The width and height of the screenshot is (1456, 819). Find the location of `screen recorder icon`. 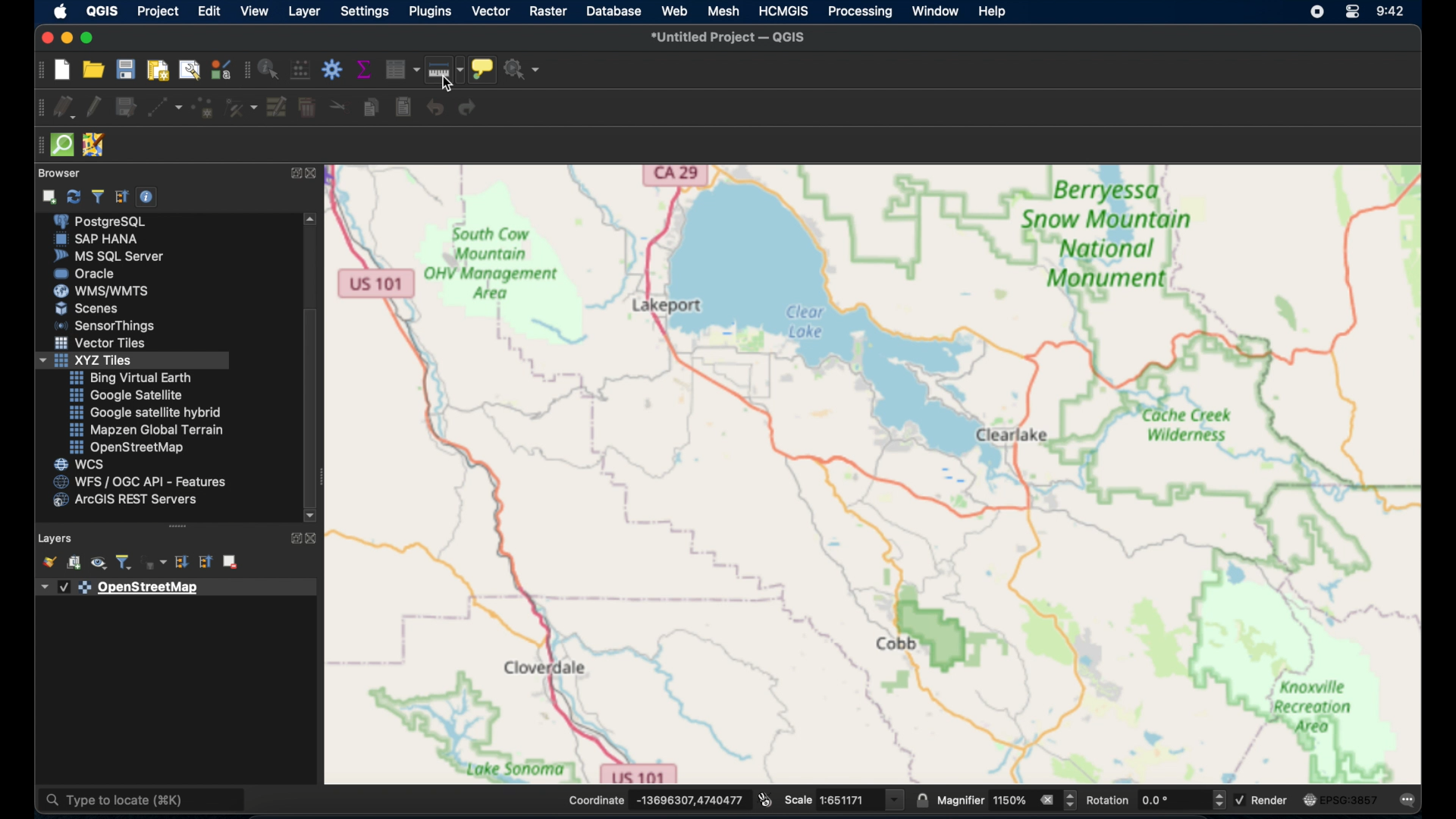

screen recorder icon is located at coordinates (1316, 12).